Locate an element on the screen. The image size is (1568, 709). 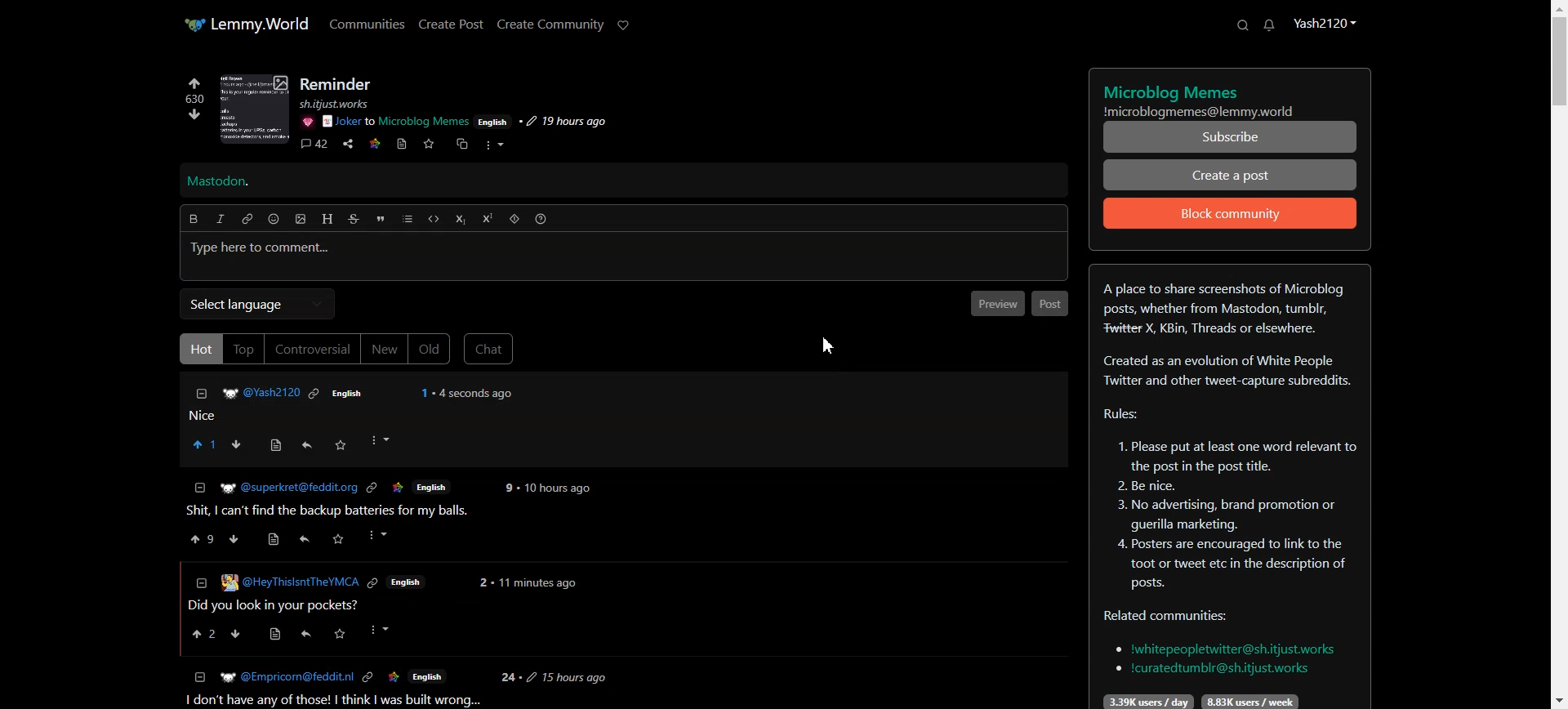
Spoiler is located at coordinates (514, 219).